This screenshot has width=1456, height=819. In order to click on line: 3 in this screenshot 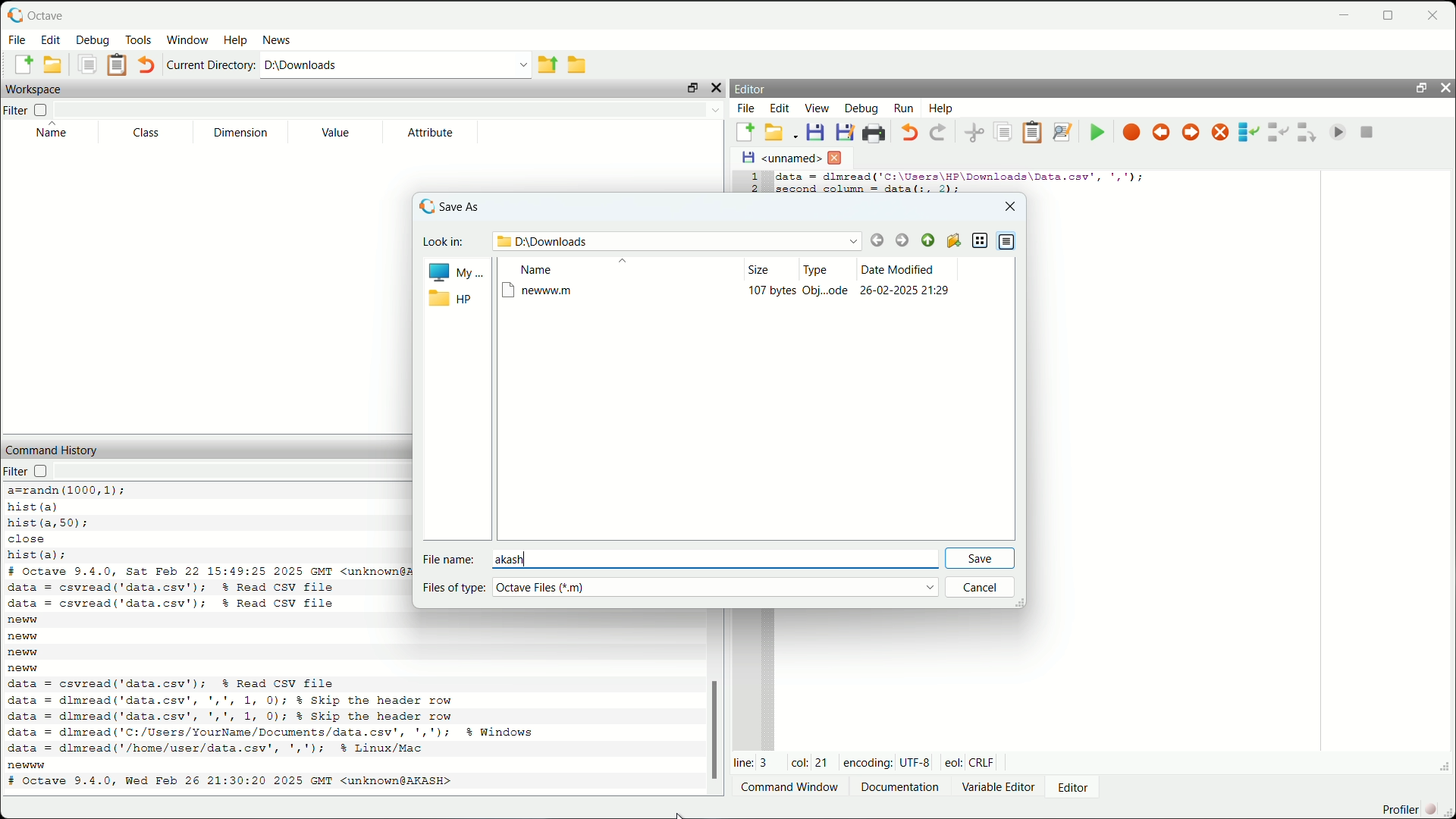, I will do `click(748, 761)`.